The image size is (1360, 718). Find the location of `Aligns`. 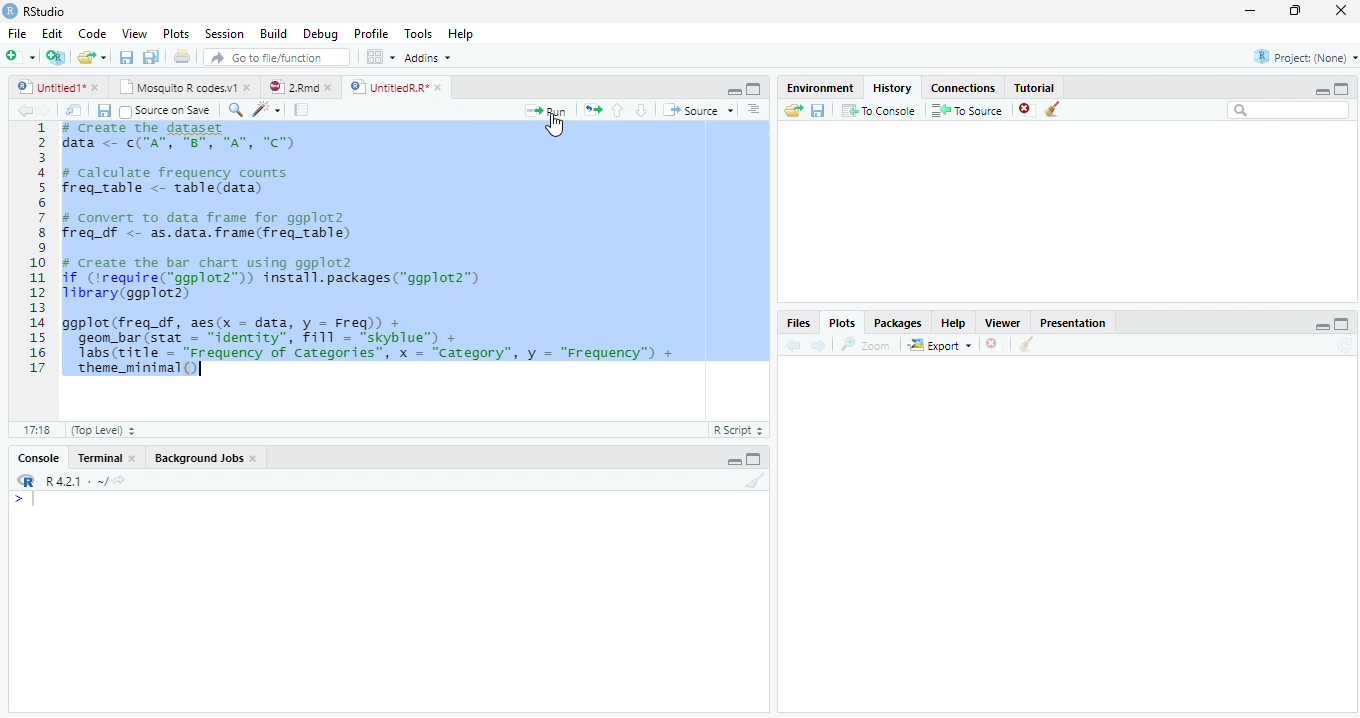

Aligns is located at coordinates (755, 110).